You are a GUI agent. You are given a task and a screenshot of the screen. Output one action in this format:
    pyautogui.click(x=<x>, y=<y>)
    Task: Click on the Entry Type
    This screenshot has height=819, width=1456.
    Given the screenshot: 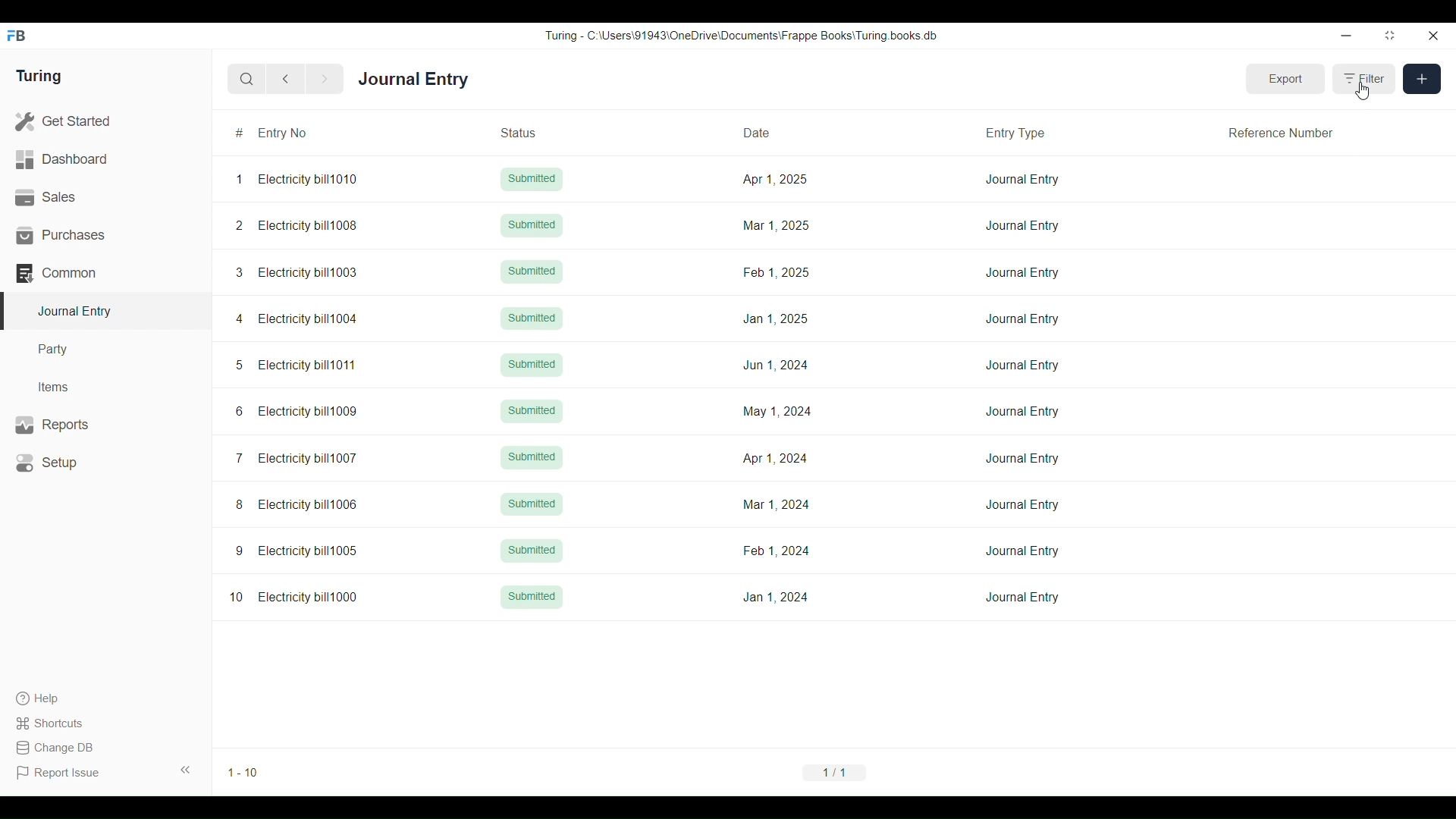 What is the action you would take?
    pyautogui.click(x=1020, y=131)
    